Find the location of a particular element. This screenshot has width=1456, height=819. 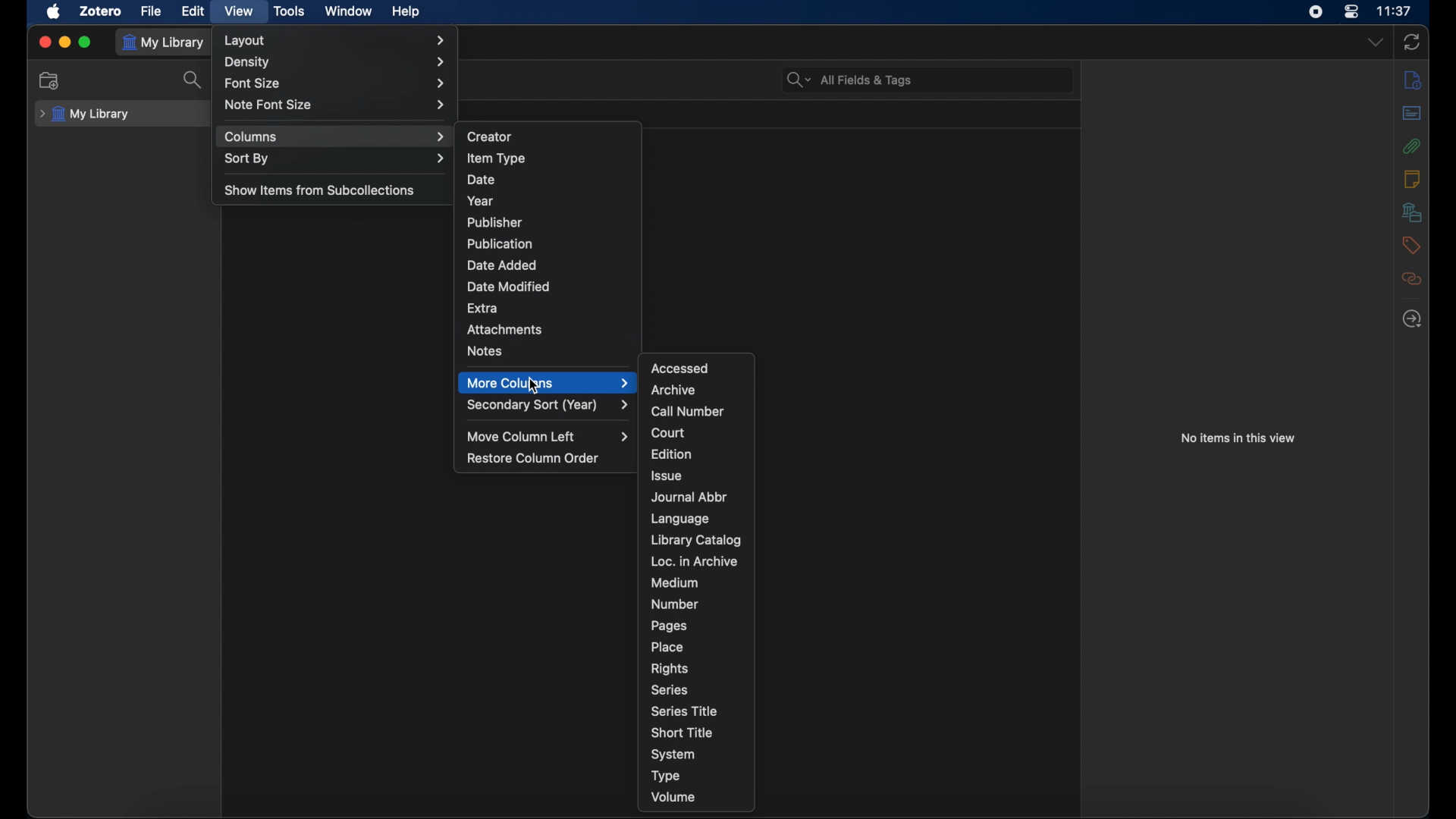

layout is located at coordinates (337, 40).